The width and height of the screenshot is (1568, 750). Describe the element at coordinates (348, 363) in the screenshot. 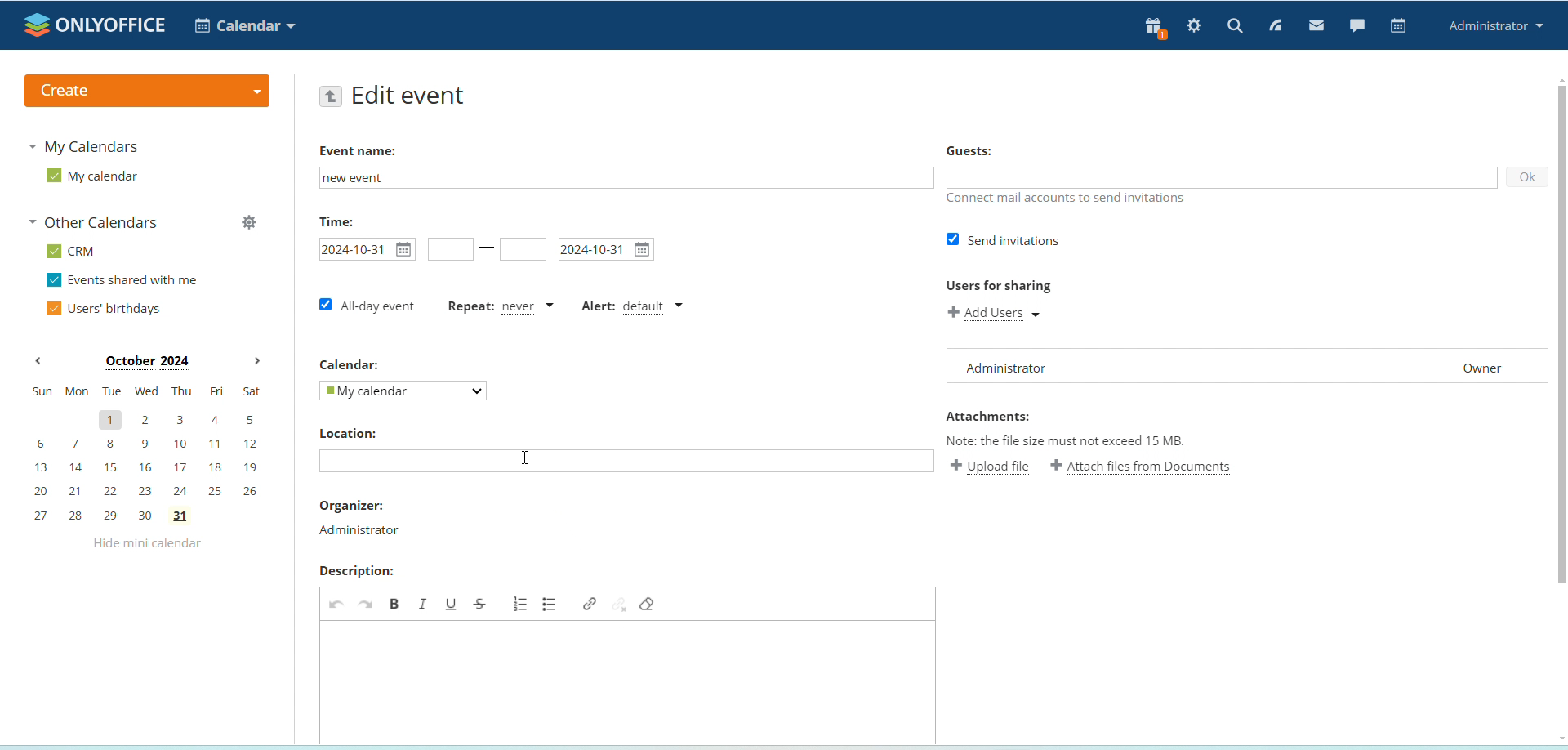

I see `Calendar` at that location.